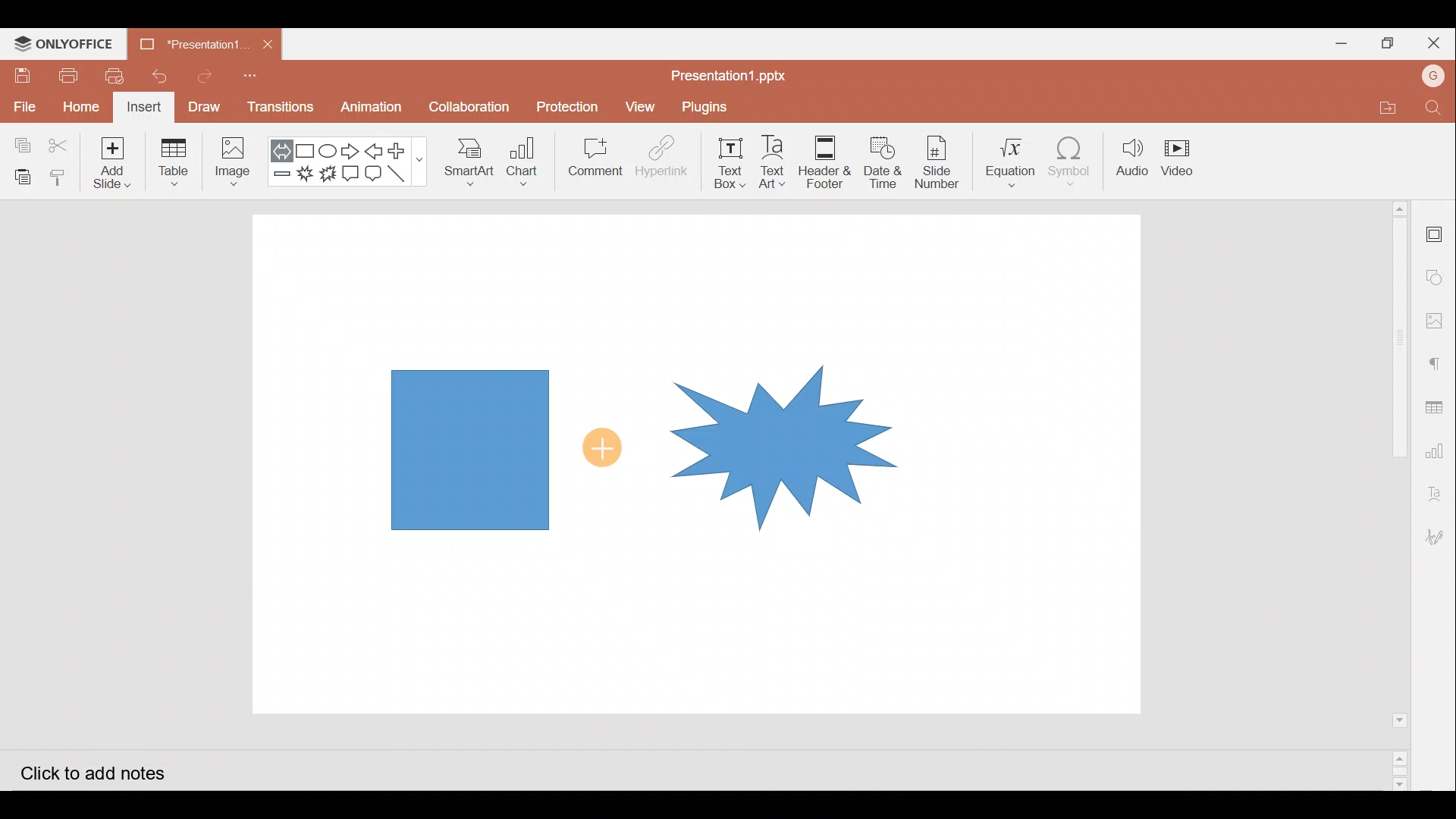 This screenshot has width=1456, height=819. Describe the element at coordinates (770, 428) in the screenshot. I see `Explosion` at that location.